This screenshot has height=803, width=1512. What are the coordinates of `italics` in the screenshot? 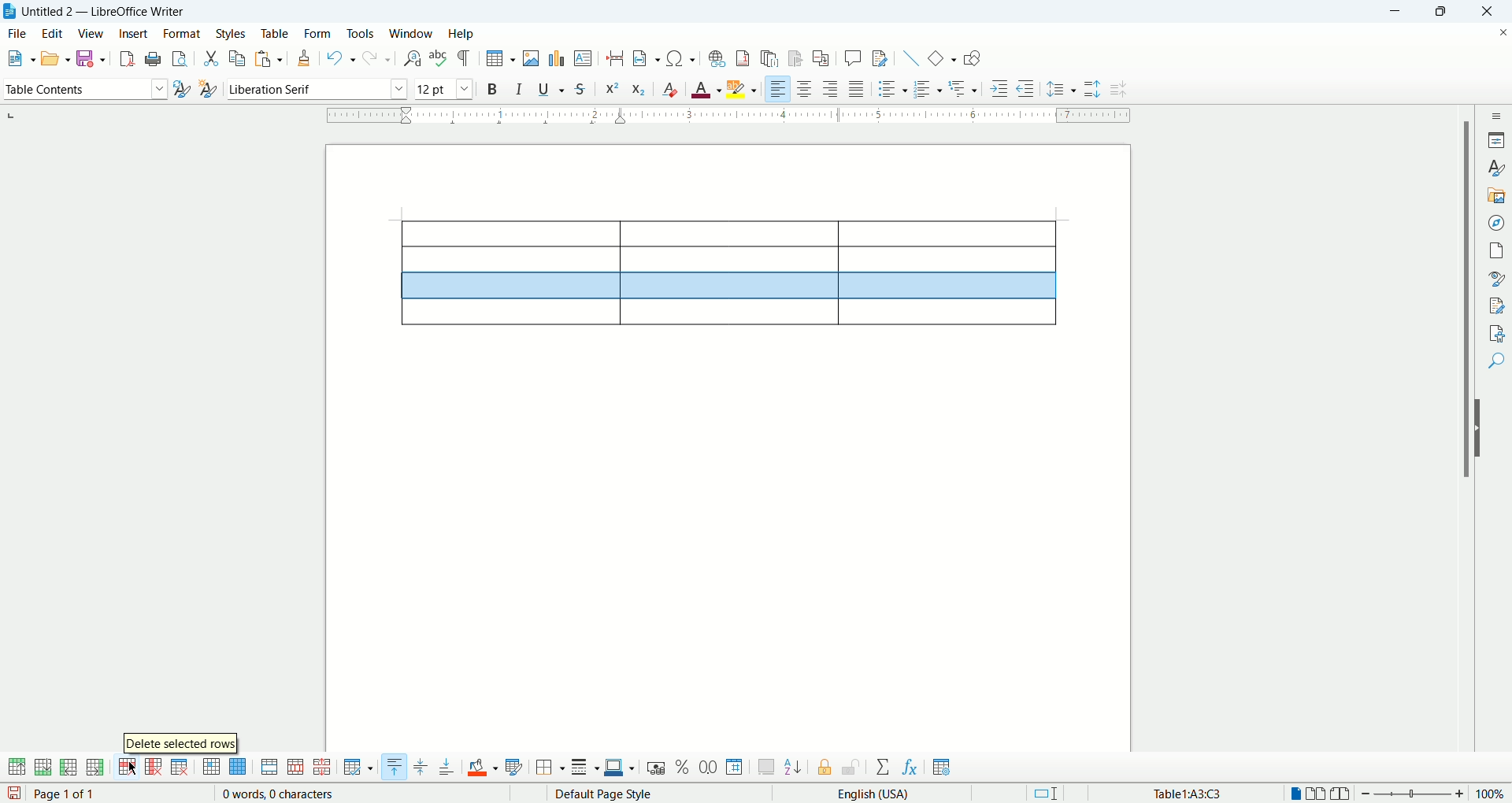 It's located at (517, 89).